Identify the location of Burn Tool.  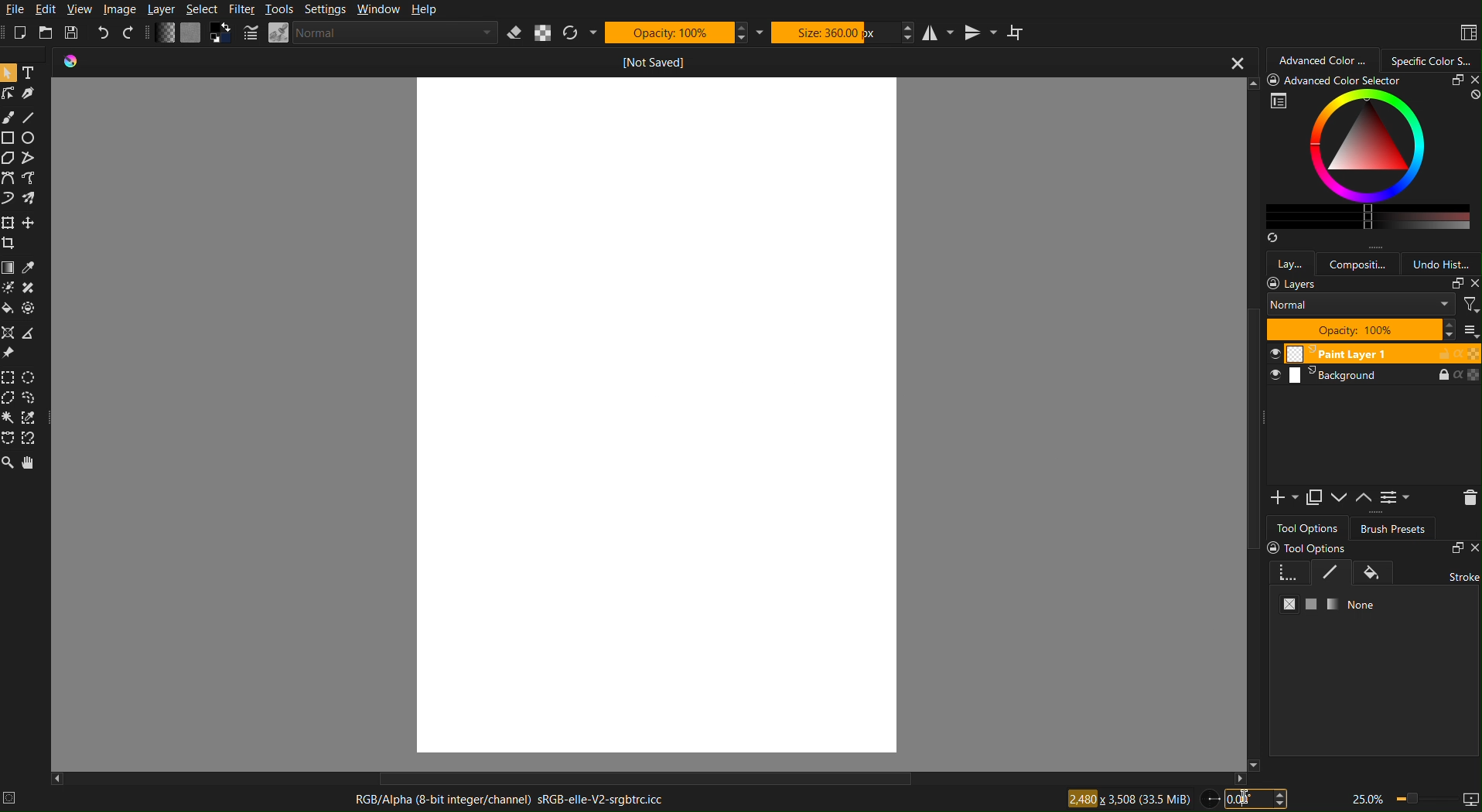
(28, 288).